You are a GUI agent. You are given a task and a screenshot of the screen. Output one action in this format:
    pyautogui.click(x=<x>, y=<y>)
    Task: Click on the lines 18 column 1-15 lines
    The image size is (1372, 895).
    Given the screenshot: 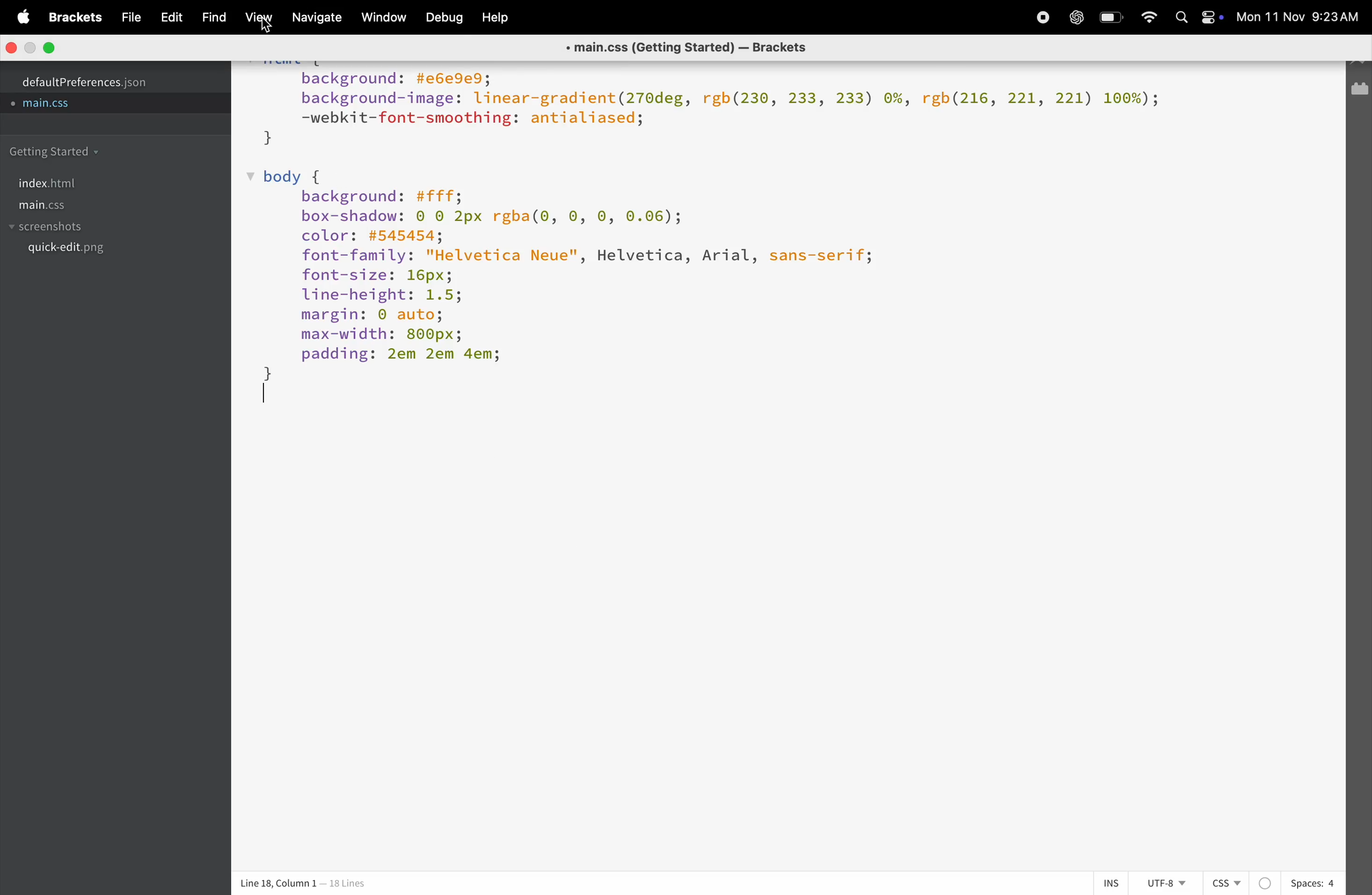 What is the action you would take?
    pyautogui.click(x=337, y=884)
    